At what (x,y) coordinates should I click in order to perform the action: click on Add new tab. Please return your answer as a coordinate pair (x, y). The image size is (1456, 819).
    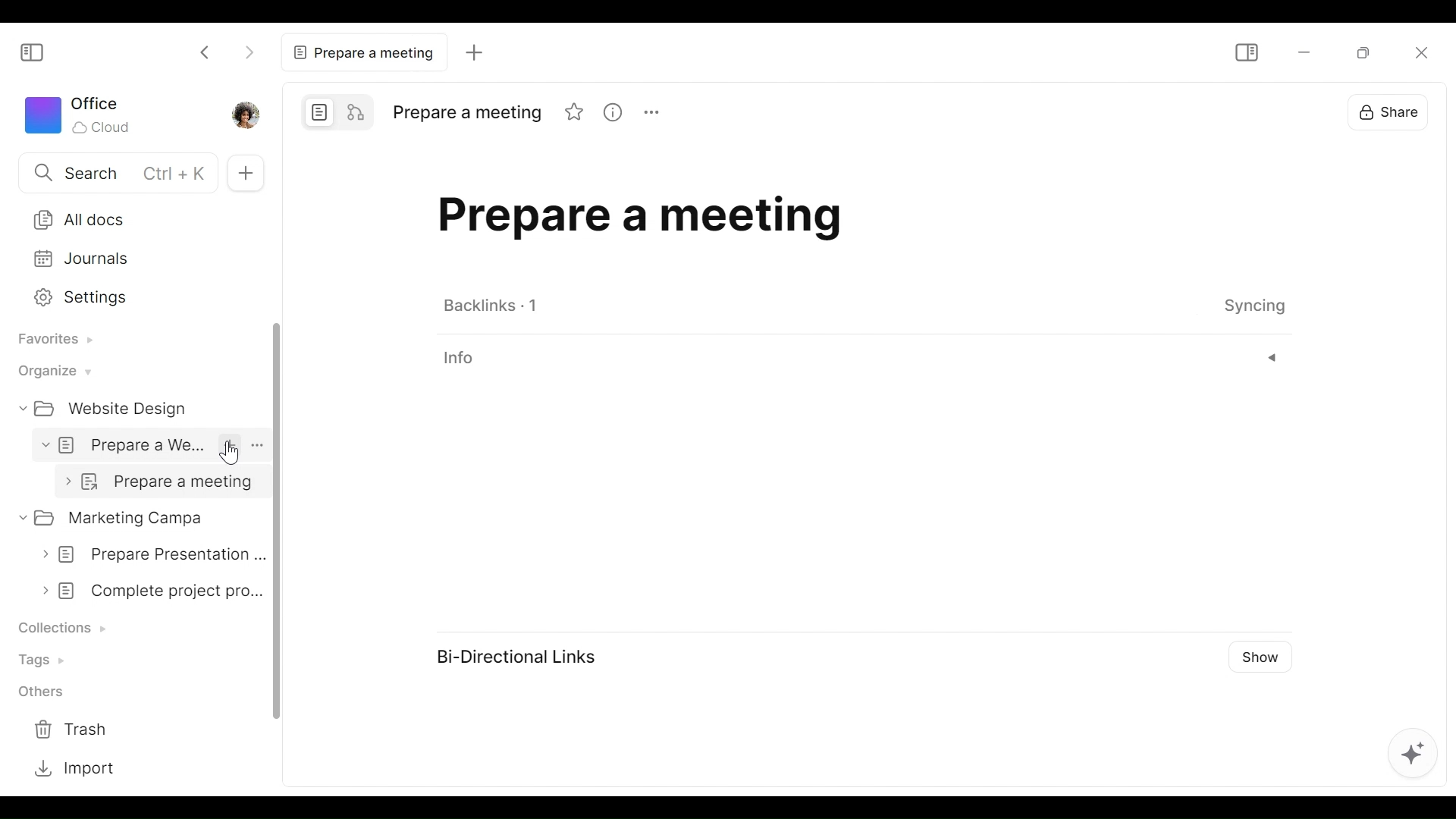
    Looking at the image, I should click on (474, 52).